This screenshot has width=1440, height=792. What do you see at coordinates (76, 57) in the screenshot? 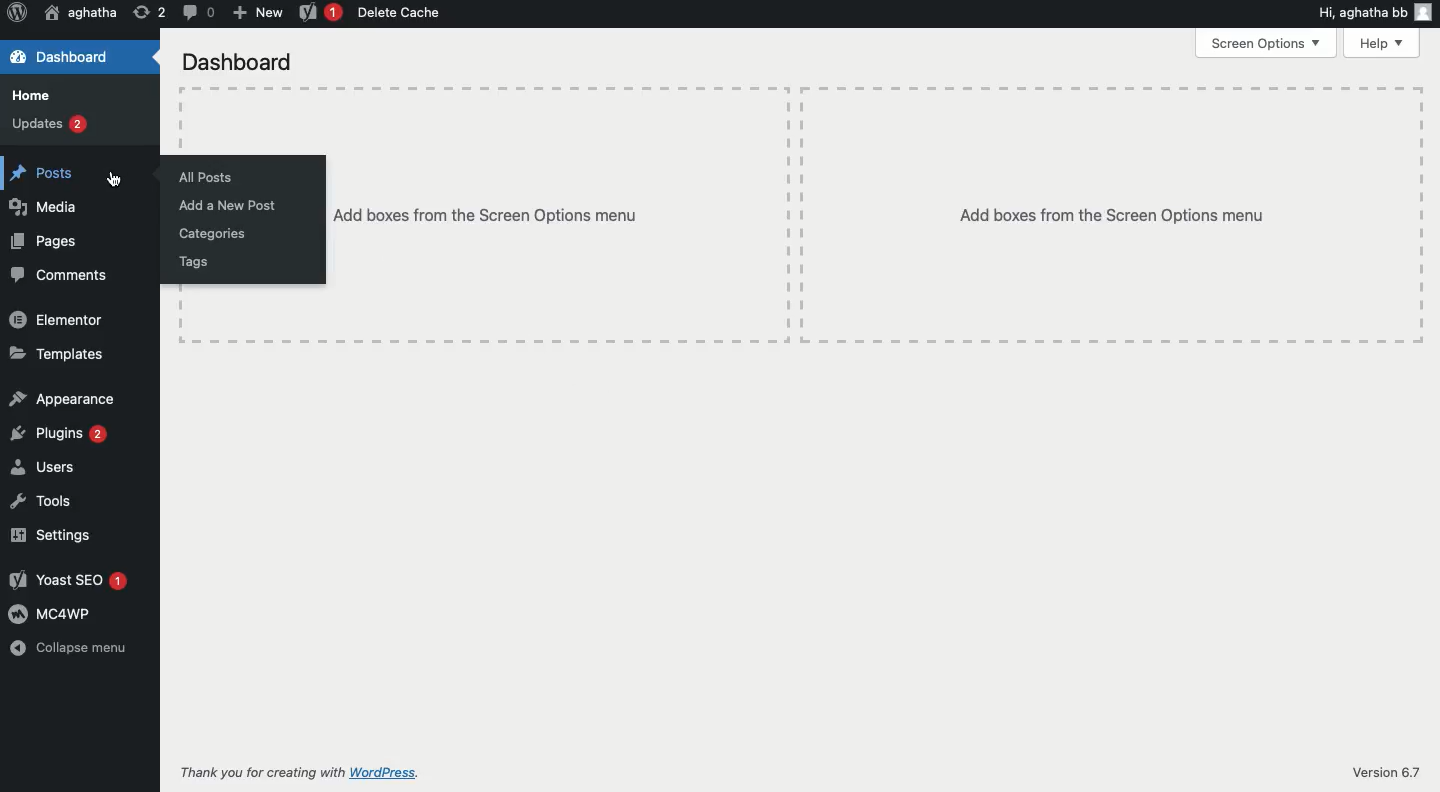
I see `Dashboard` at bounding box center [76, 57].